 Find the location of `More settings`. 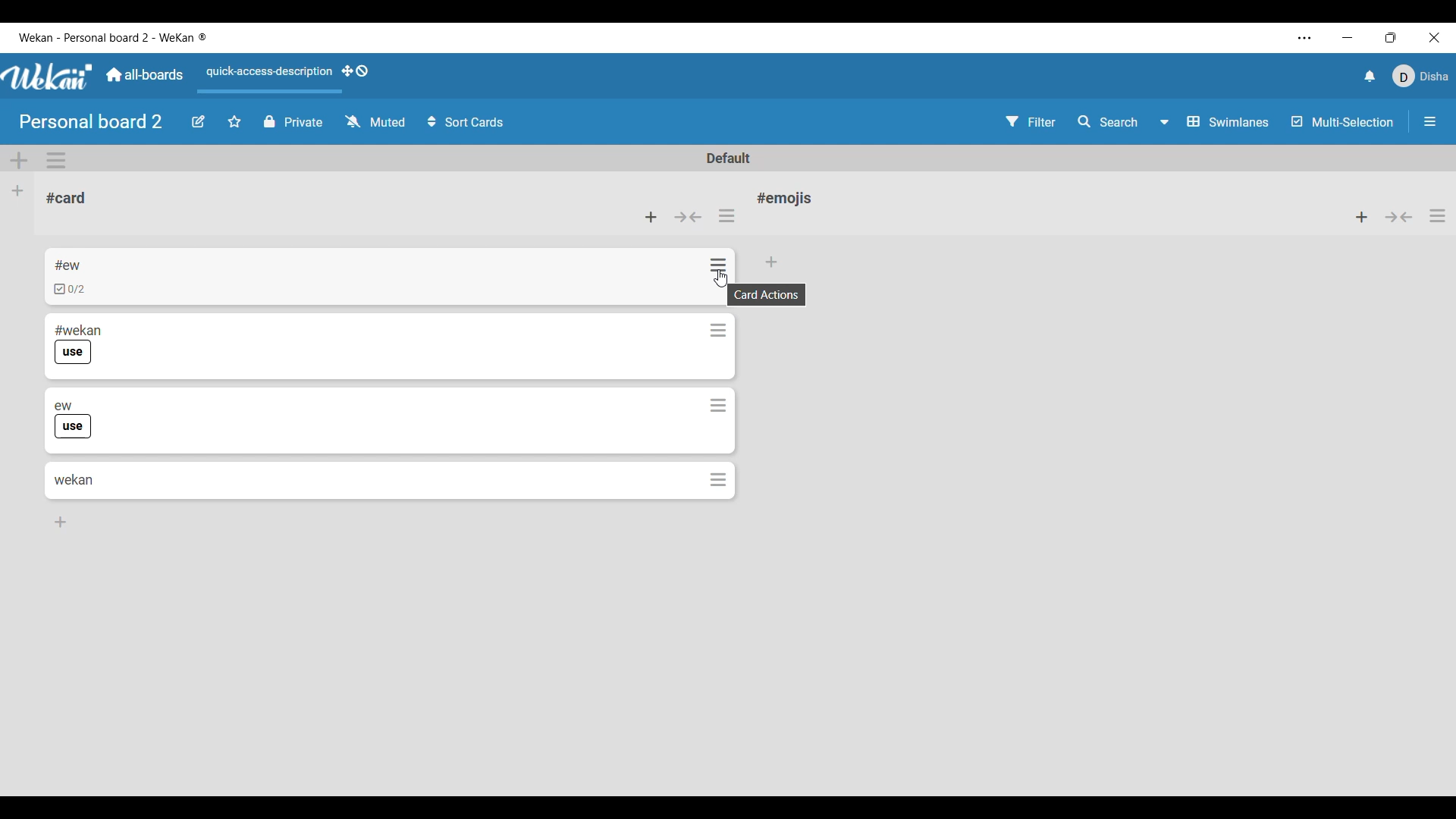

More settings is located at coordinates (1304, 38).